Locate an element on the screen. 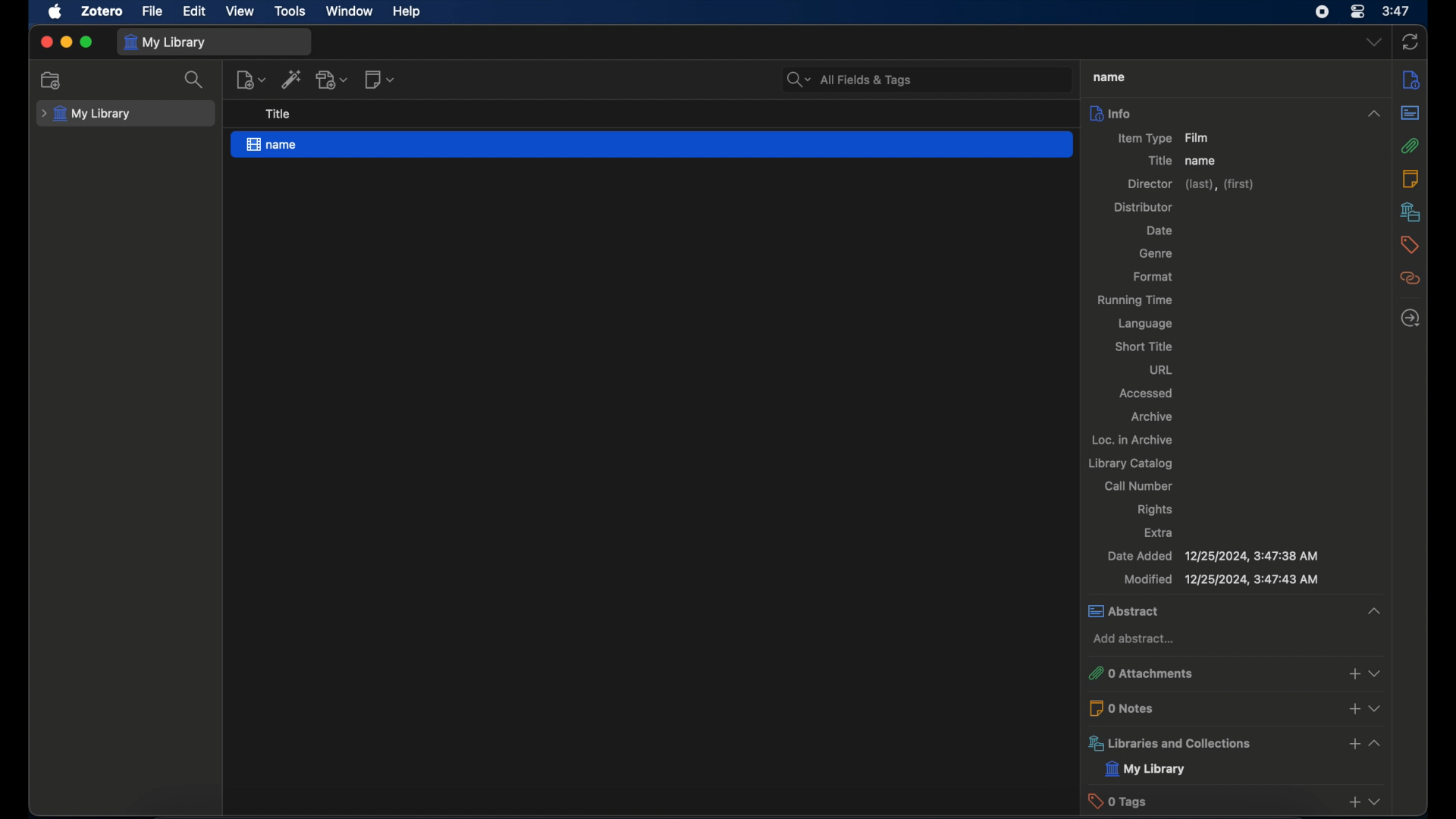 Image resolution: width=1456 pixels, height=819 pixels. my library is located at coordinates (1146, 769).